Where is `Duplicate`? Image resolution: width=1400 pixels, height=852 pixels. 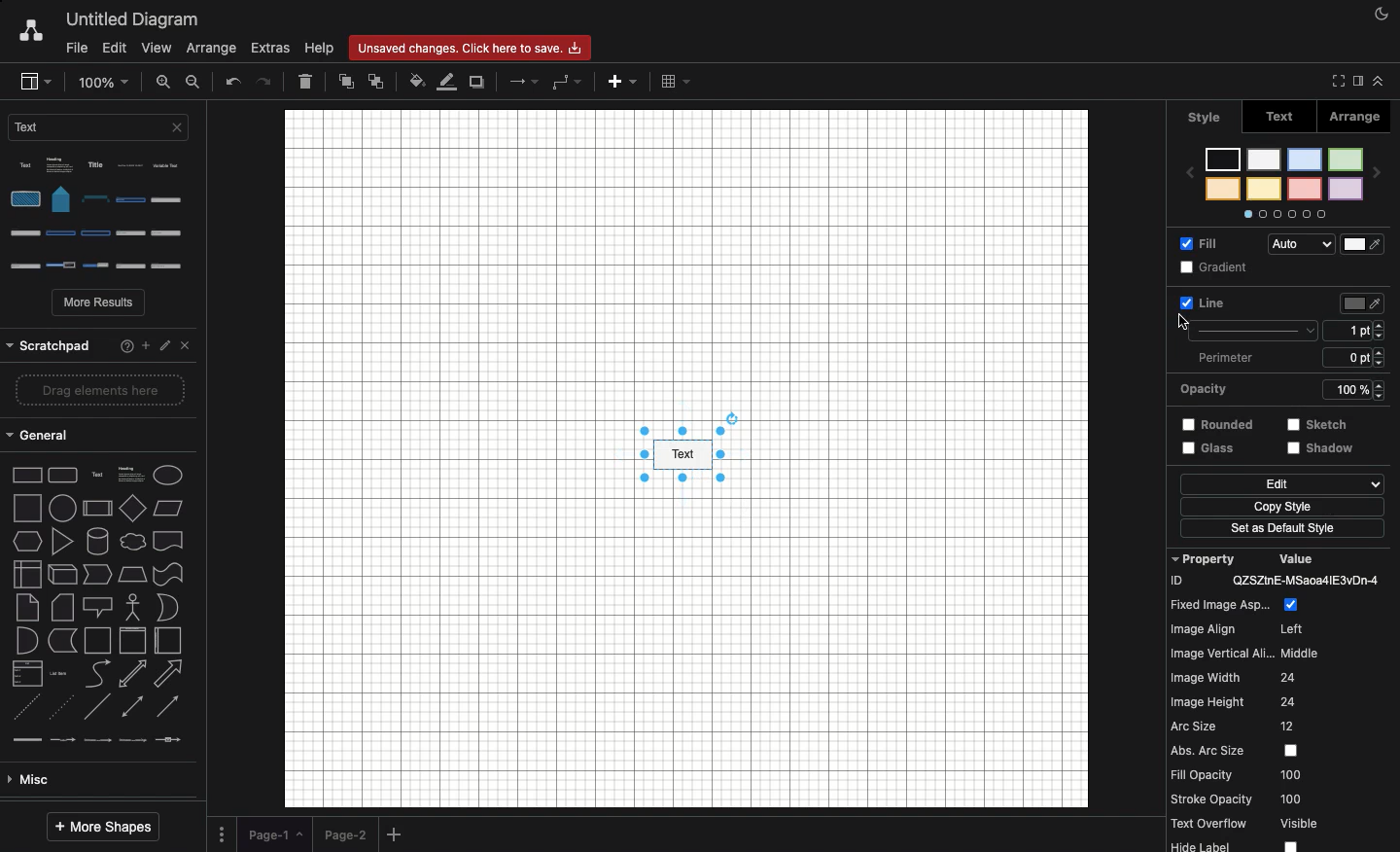 Duplicate is located at coordinates (478, 83).